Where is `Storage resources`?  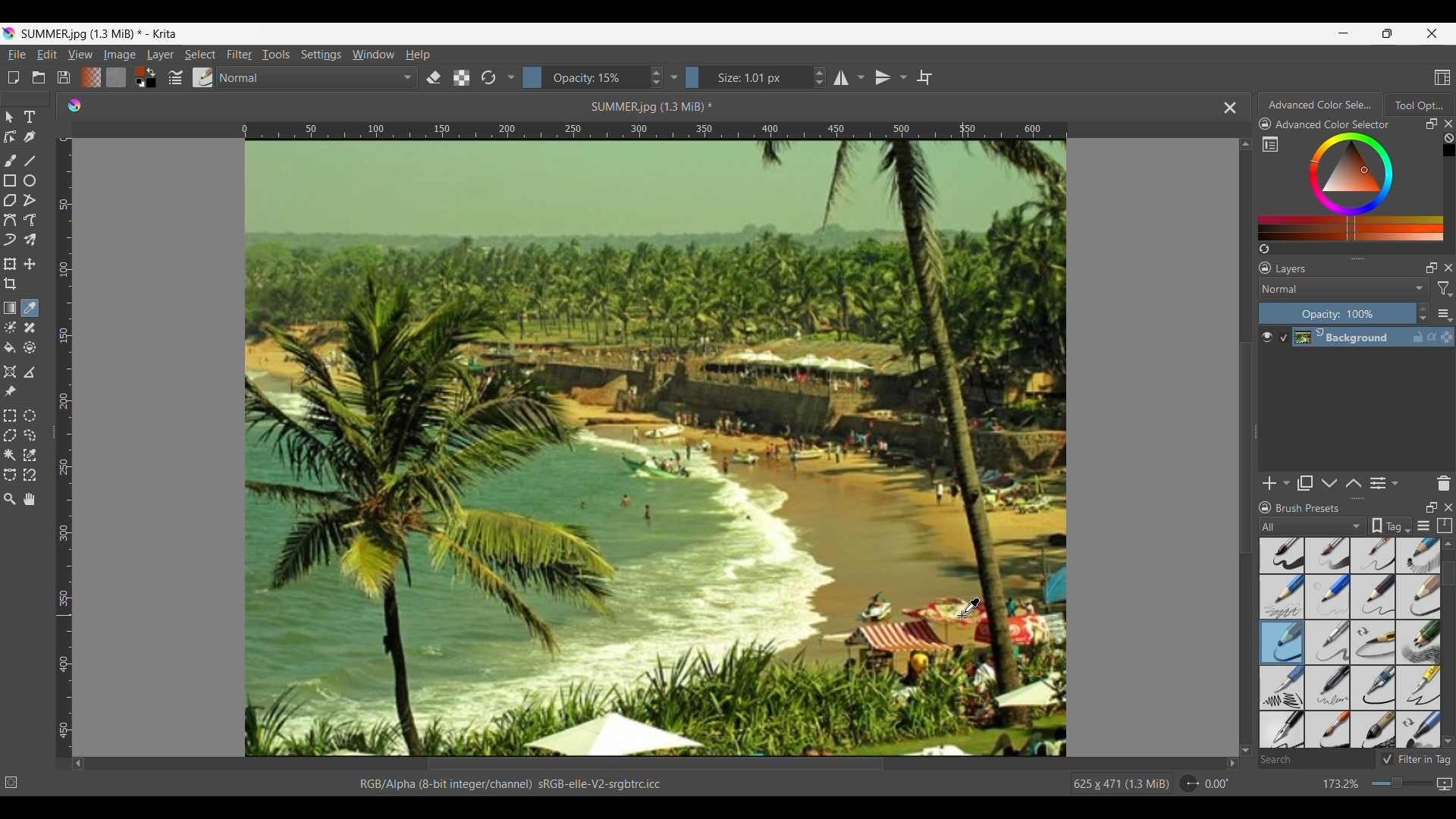
Storage resources is located at coordinates (1445, 526).